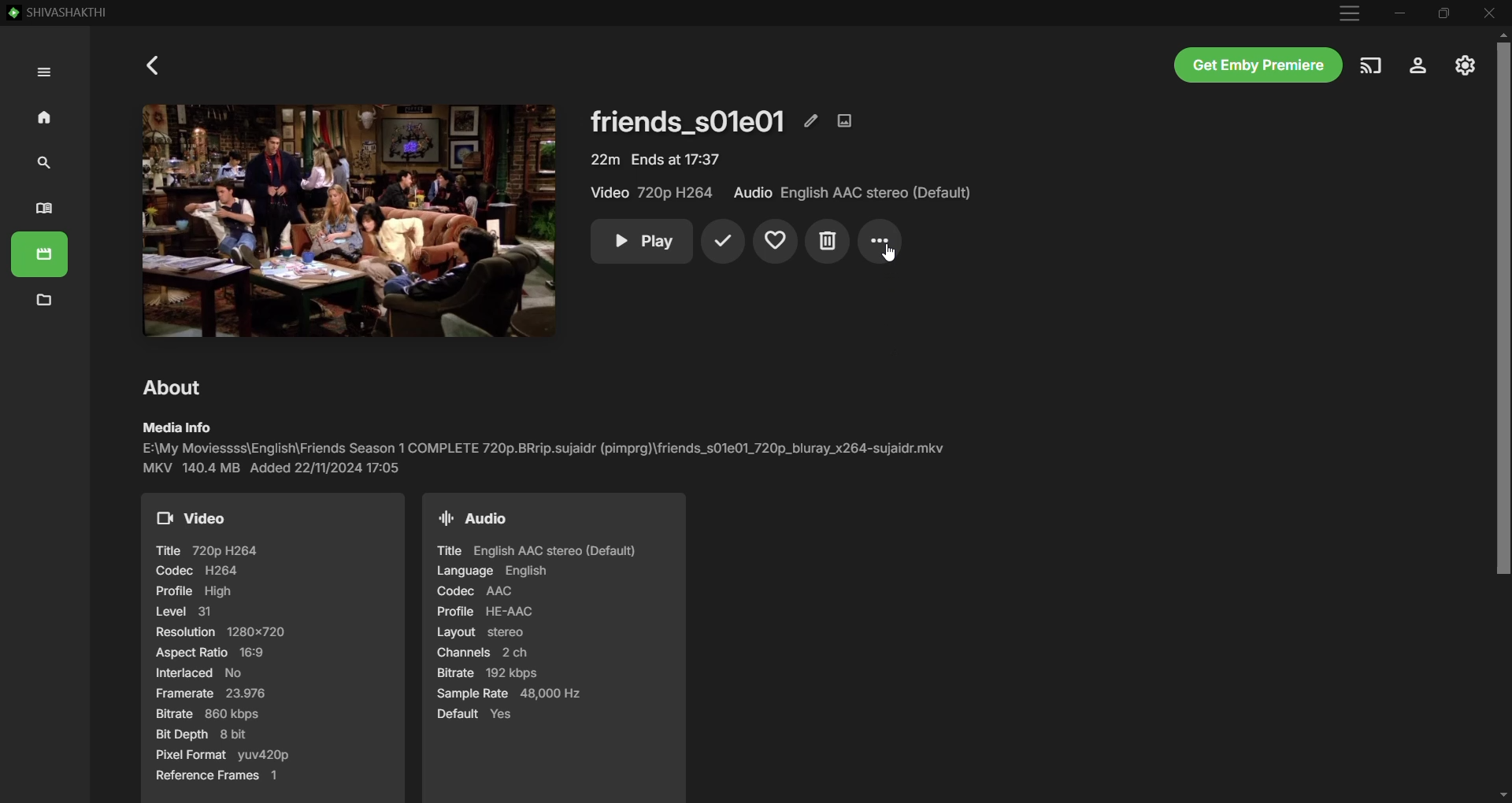 Image resolution: width=1512 pixels, height=803 pixels. What do you see at coordinates (688, 120) in the screenshot?
I see `TV episode name and details` at bounding box center [688, 120].